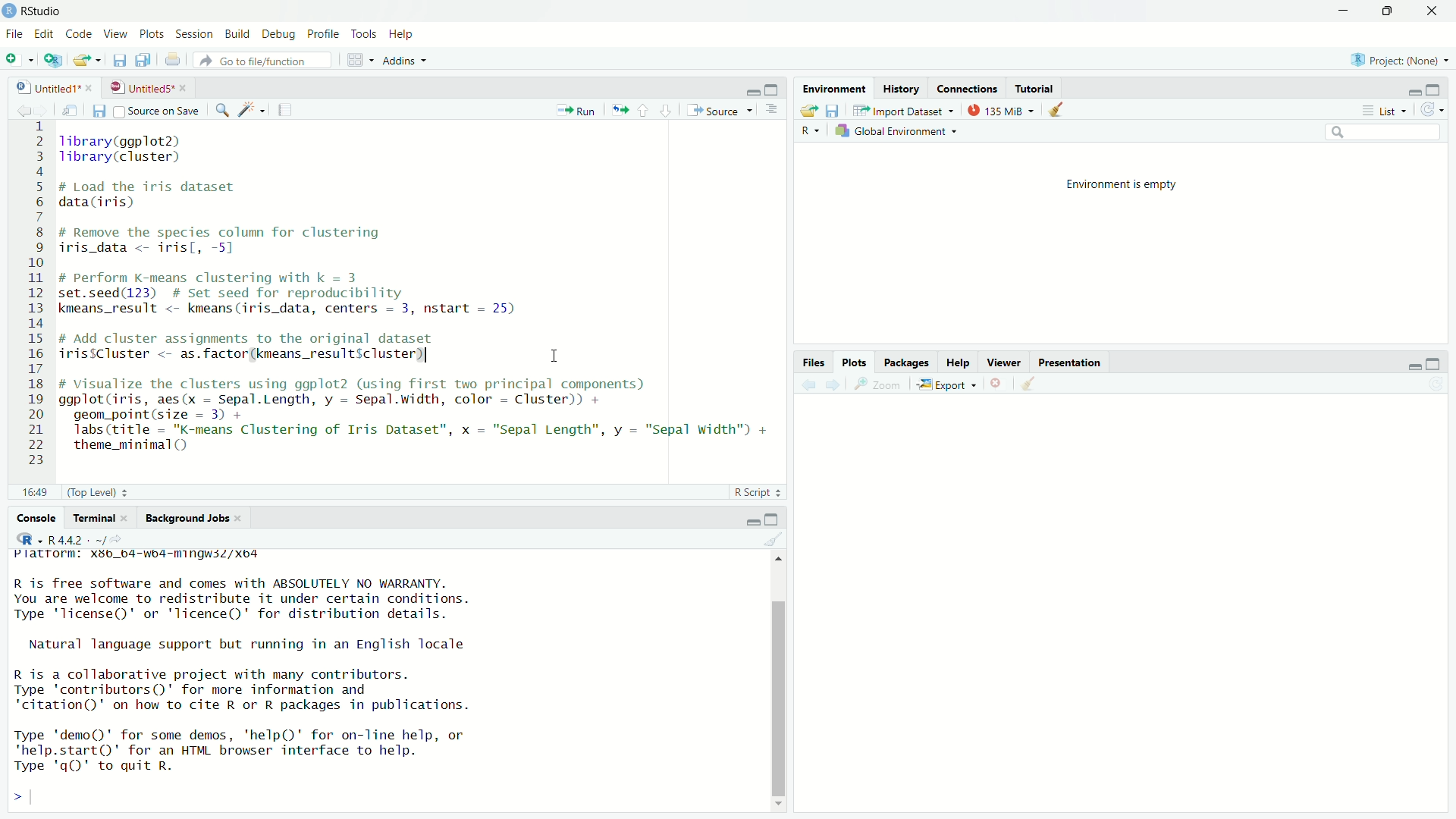  I want to click on # Remove the species column for clustering   iris_data <- iris[, -5], so click(243, 240).